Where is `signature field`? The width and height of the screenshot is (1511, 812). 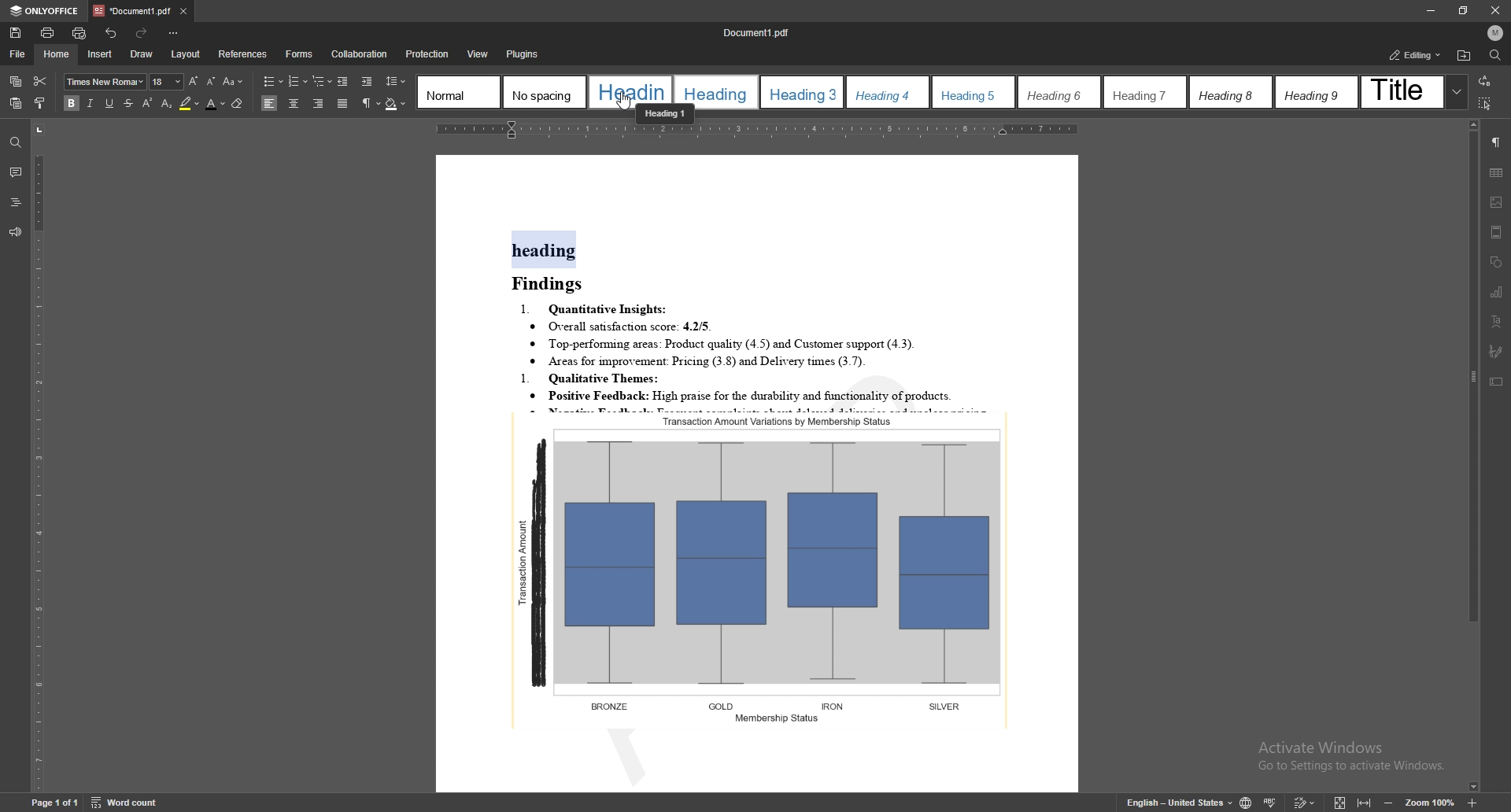 signature field is located at coordinates (1495, 352).